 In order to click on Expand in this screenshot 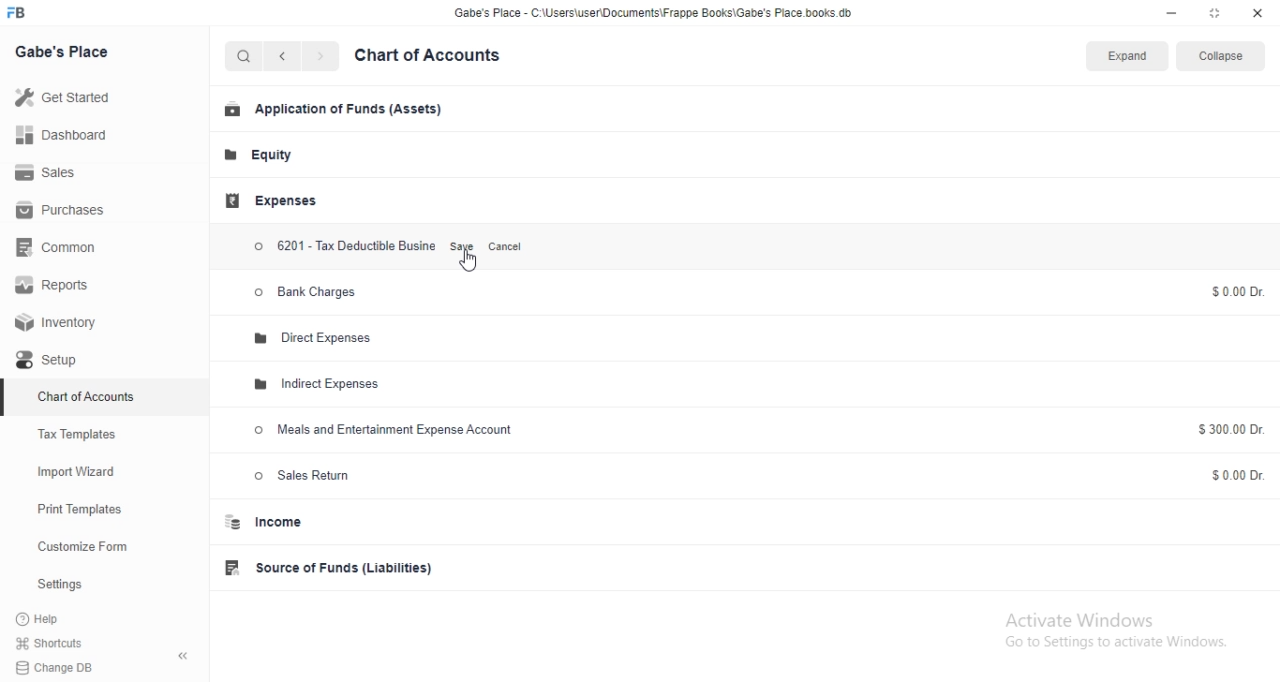, I will do `click(1126, 58)`.